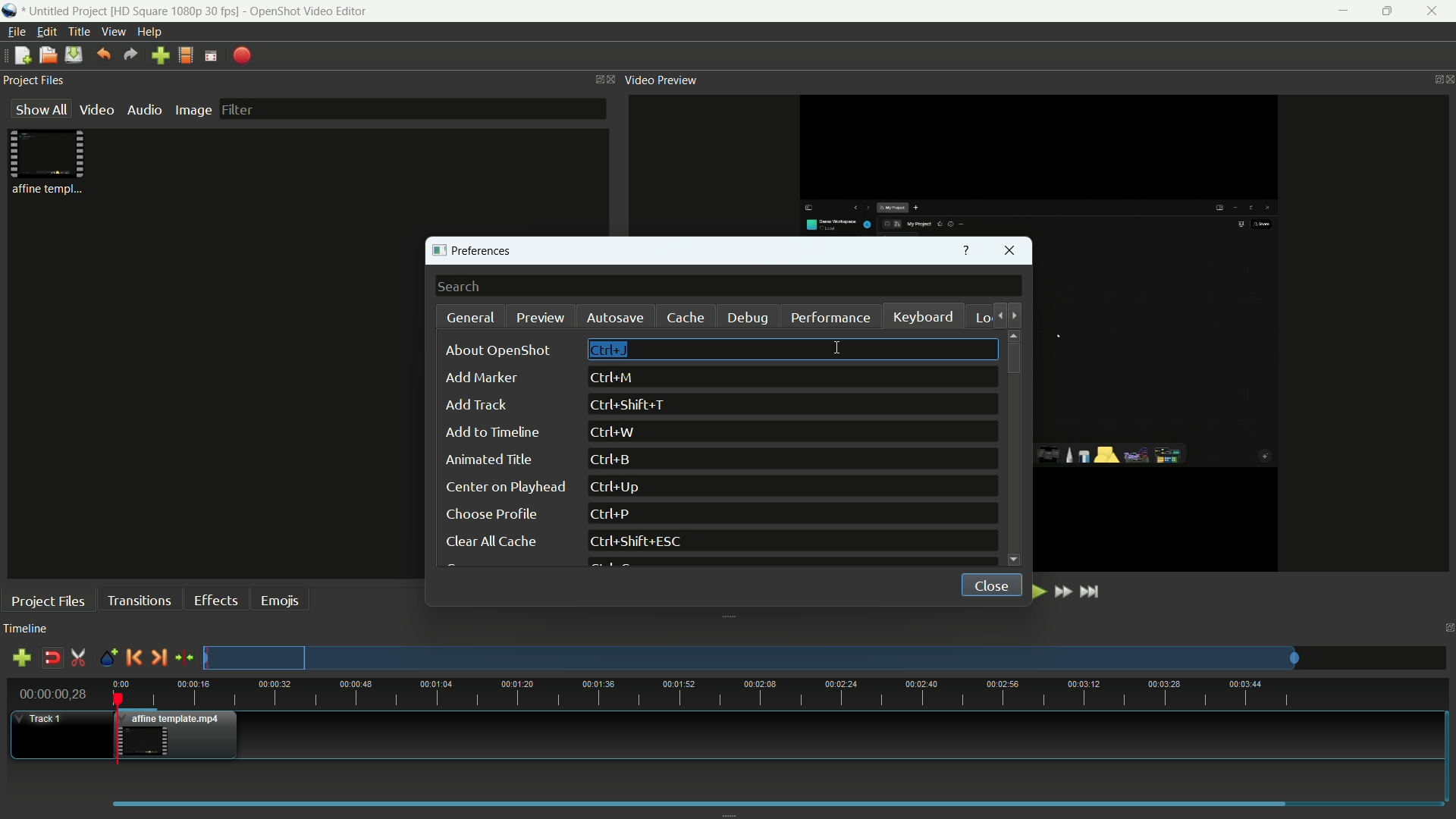 The height and width of the screenshot is (819, 1456). I want to click on keyboard shortcut, so click(613, 432).